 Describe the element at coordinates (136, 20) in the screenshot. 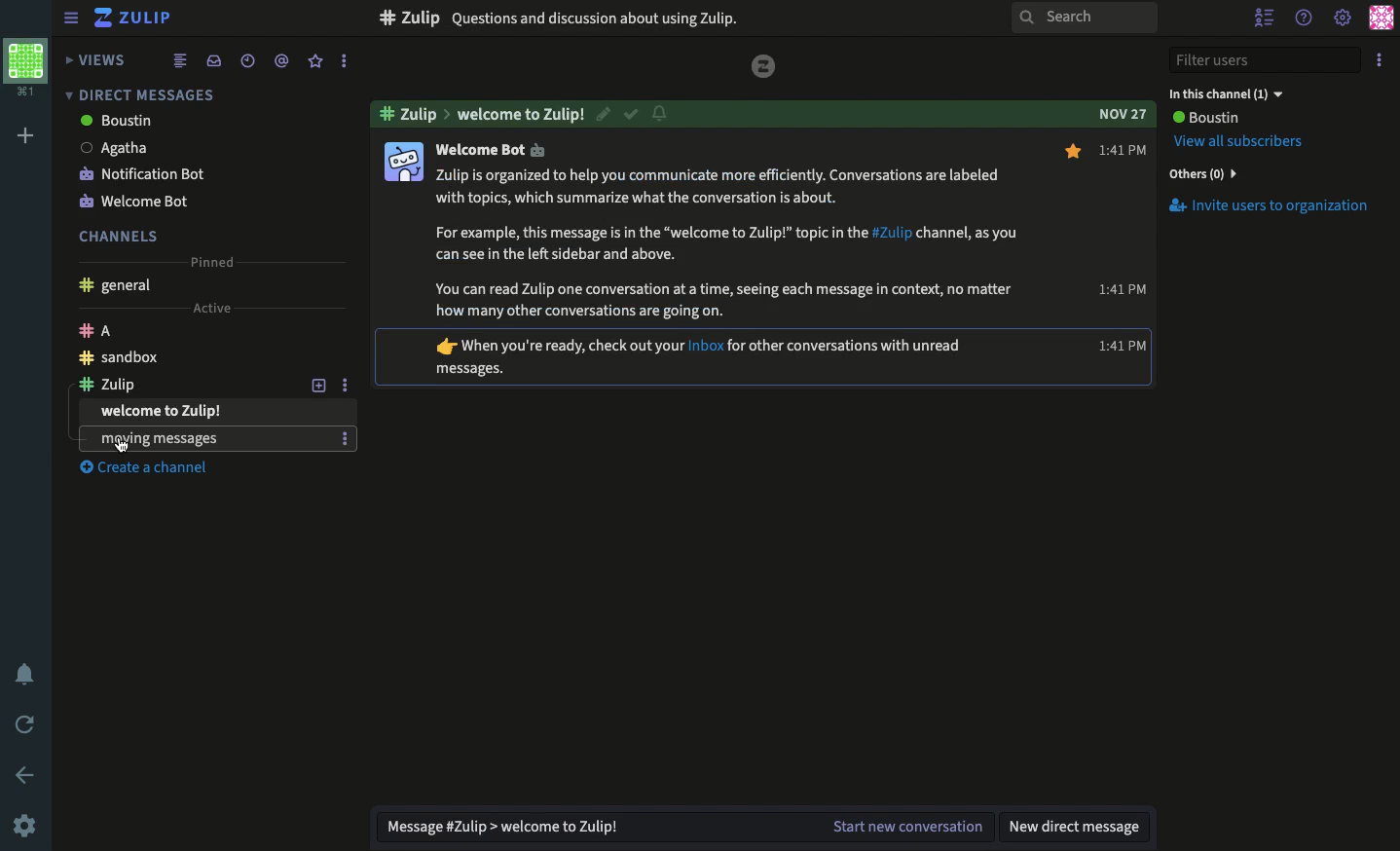

I see `Zulip` at that location.